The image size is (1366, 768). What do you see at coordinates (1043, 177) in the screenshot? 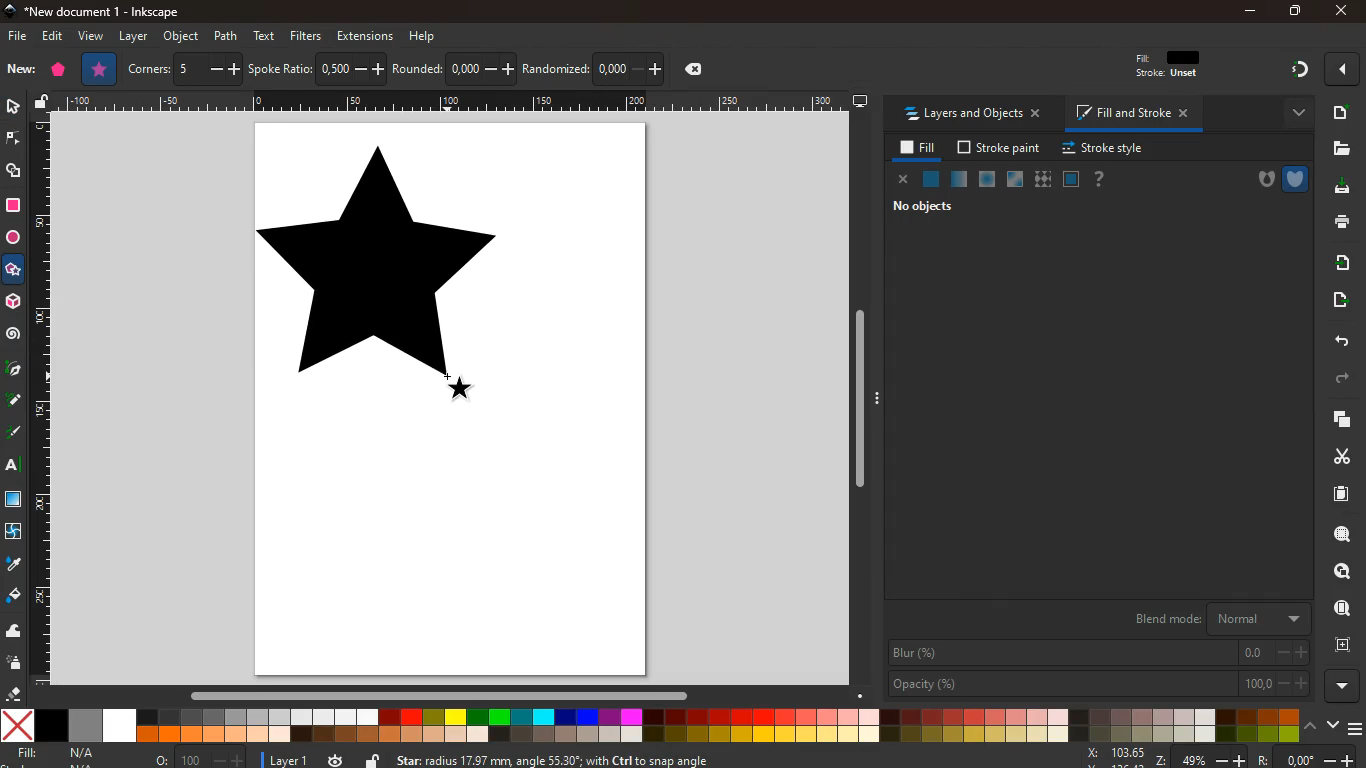
I see `texture` at bounding box center [1043, 177].